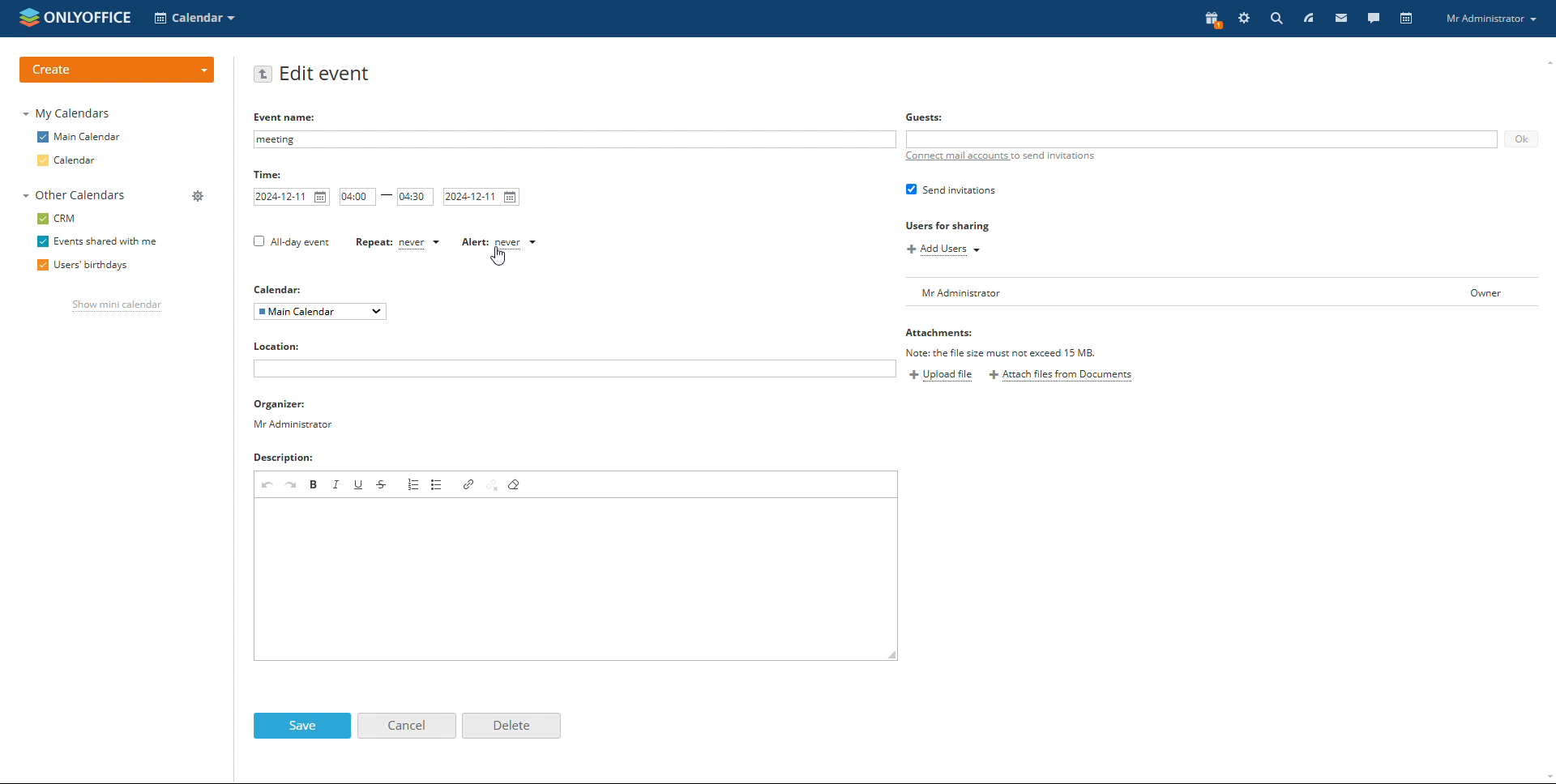  What do you see at coordinates (293, 484) in the screenshot?
I see `redo` at bounding box center [293, 484].